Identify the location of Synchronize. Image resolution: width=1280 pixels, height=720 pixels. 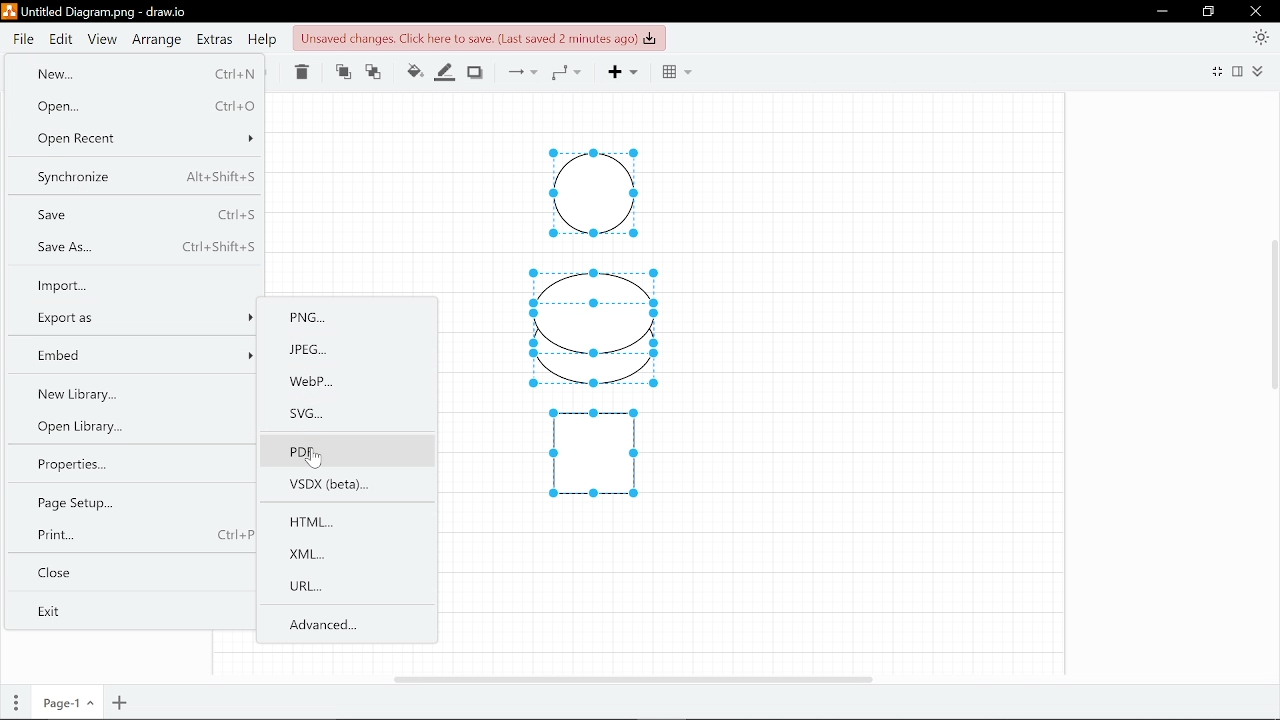
(139, 174).